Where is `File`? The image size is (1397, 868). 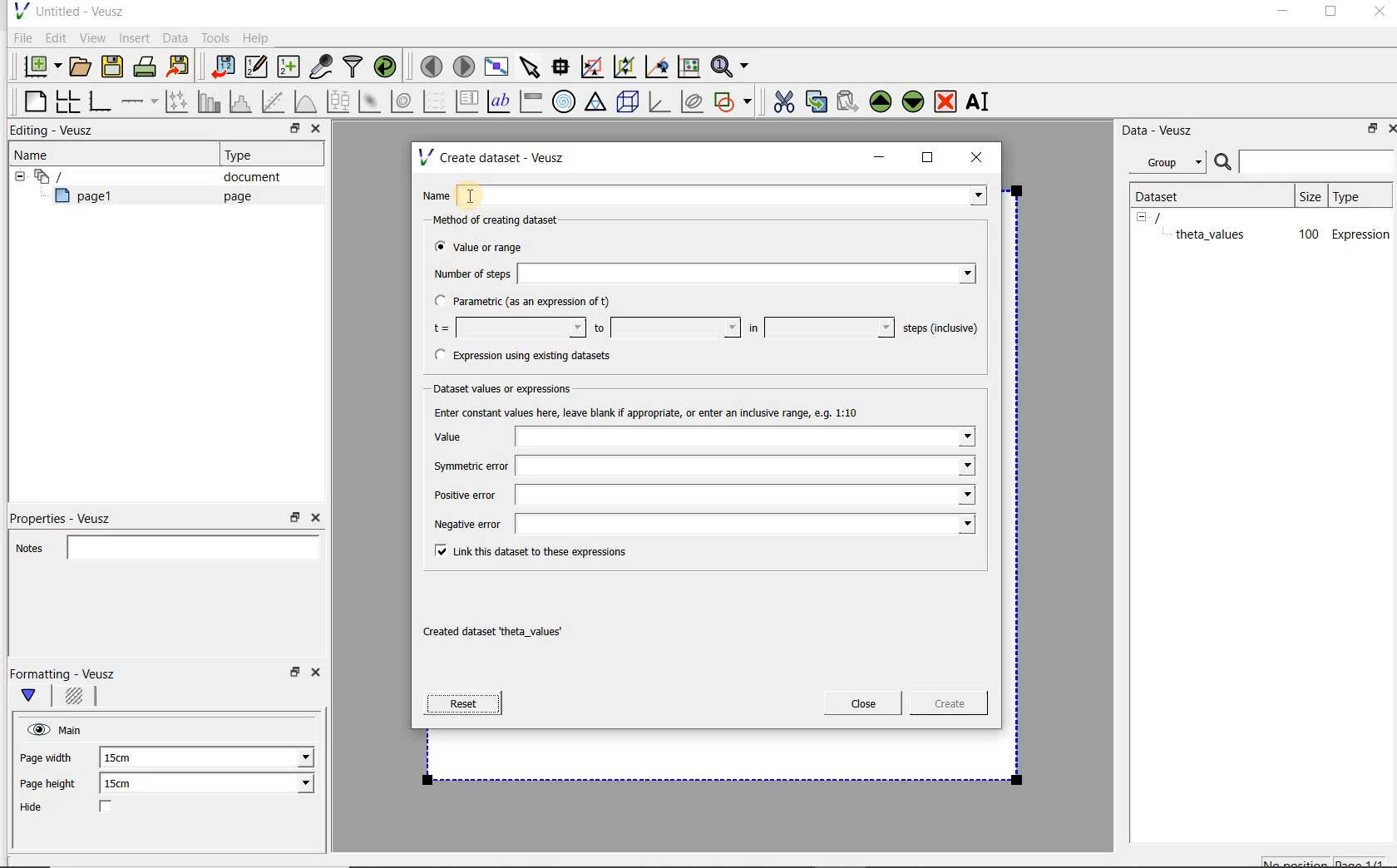 File is located at coordinates (20, 38).